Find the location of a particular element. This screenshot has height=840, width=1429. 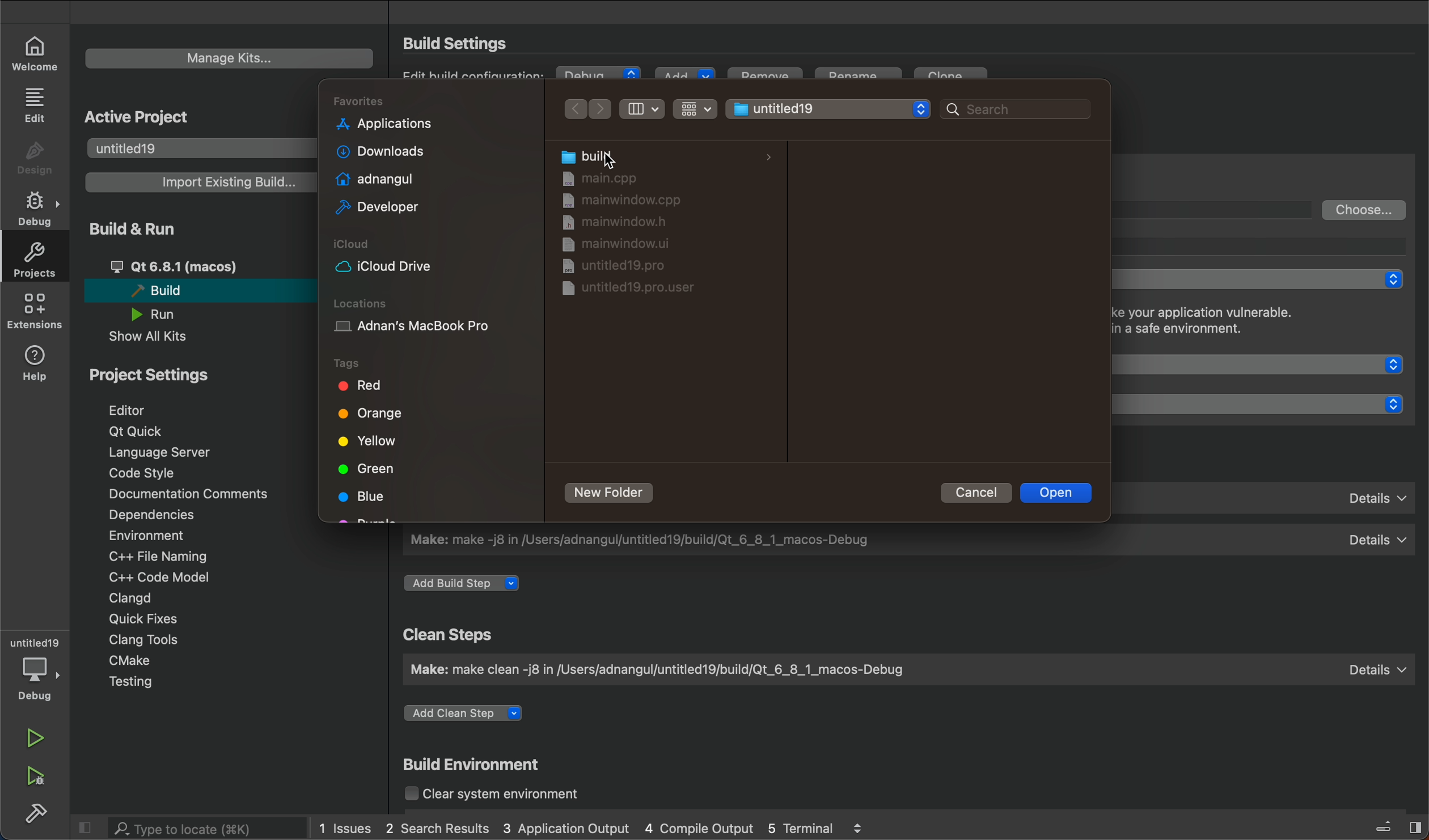

new folder is located at coordinates (611, 493).